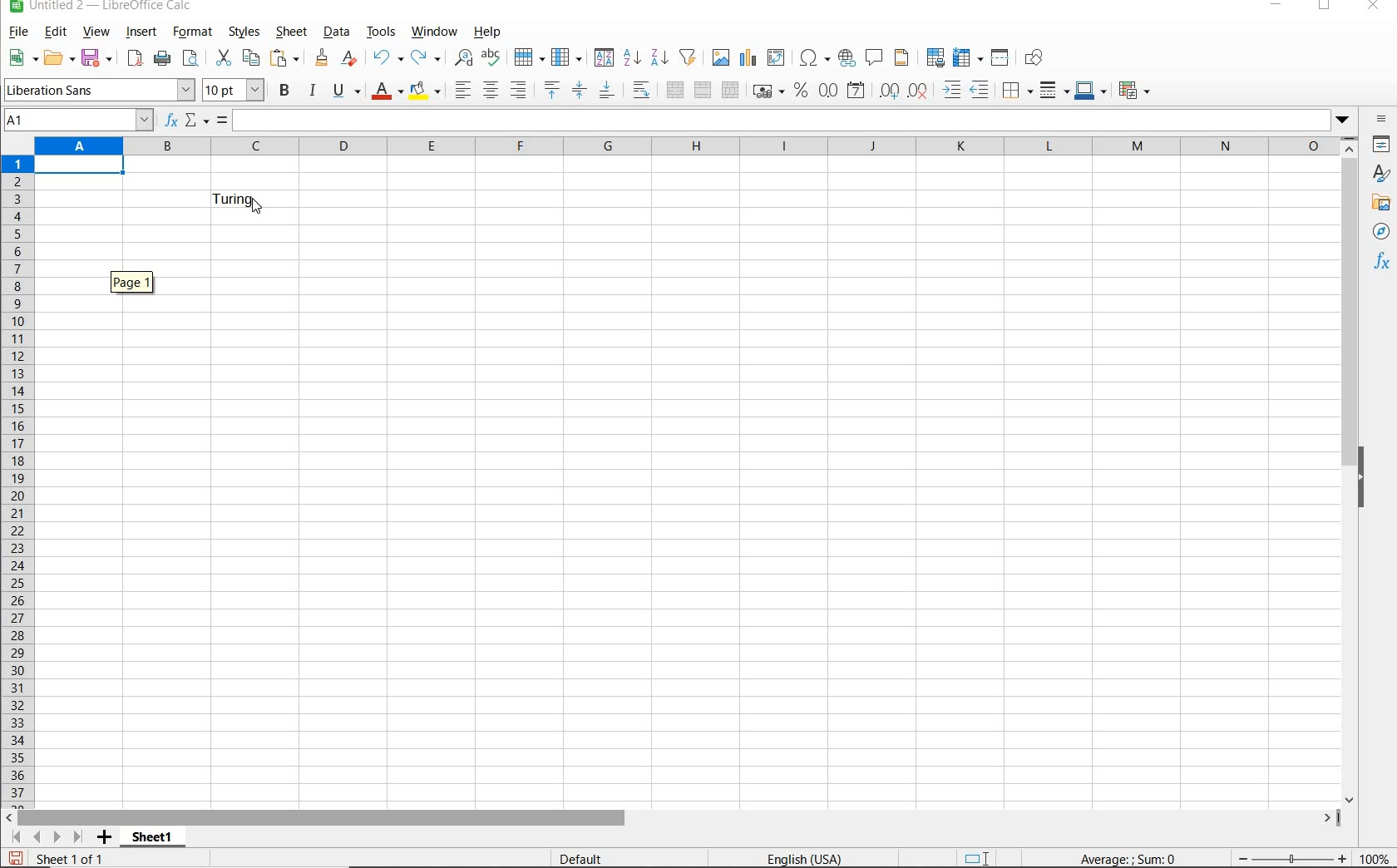 This screenshot has width=1397, height=868. I want to click on SPELLING, so click(492, 57).